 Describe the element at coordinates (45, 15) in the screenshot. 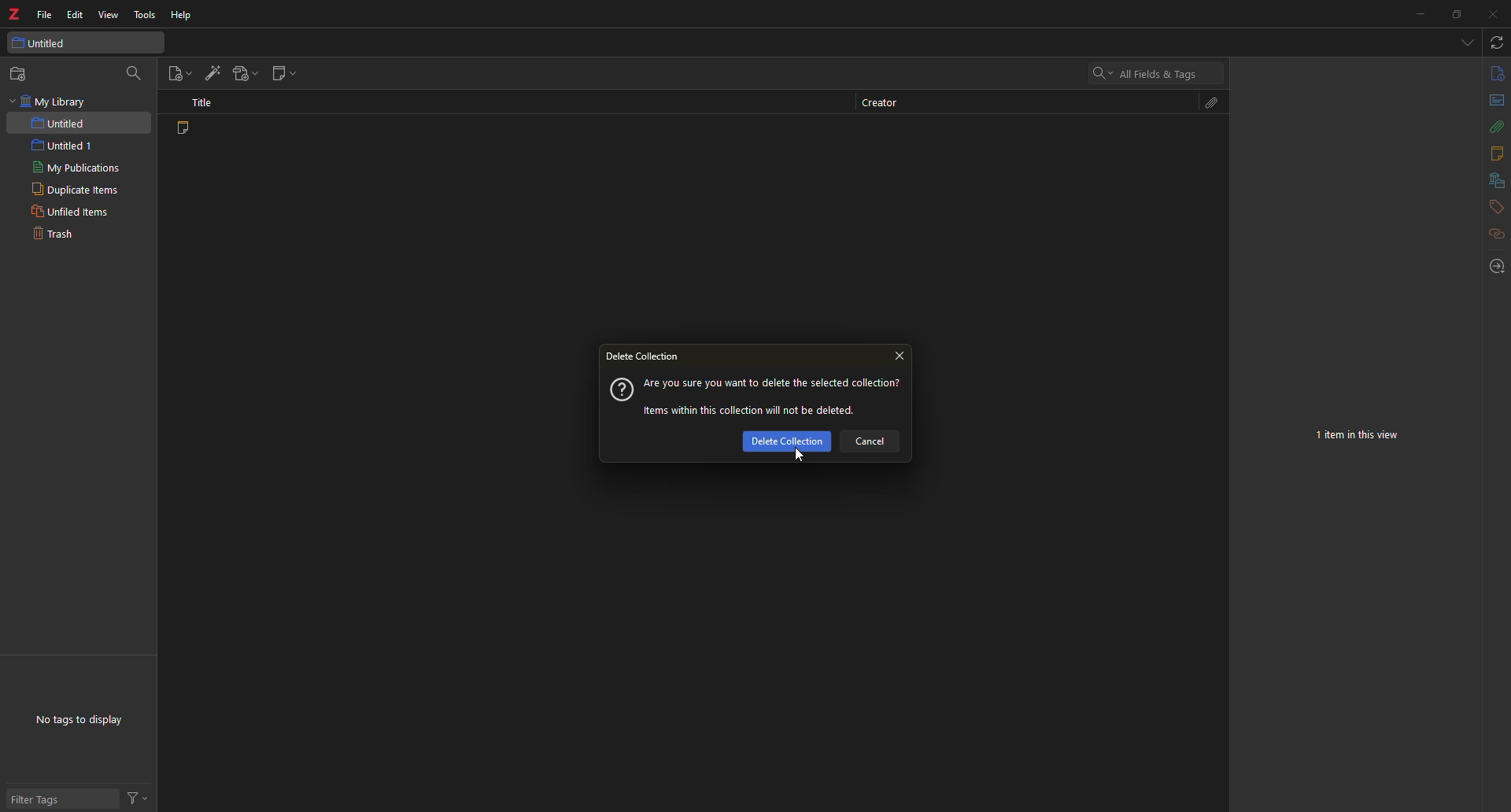

I see `file` at that location.